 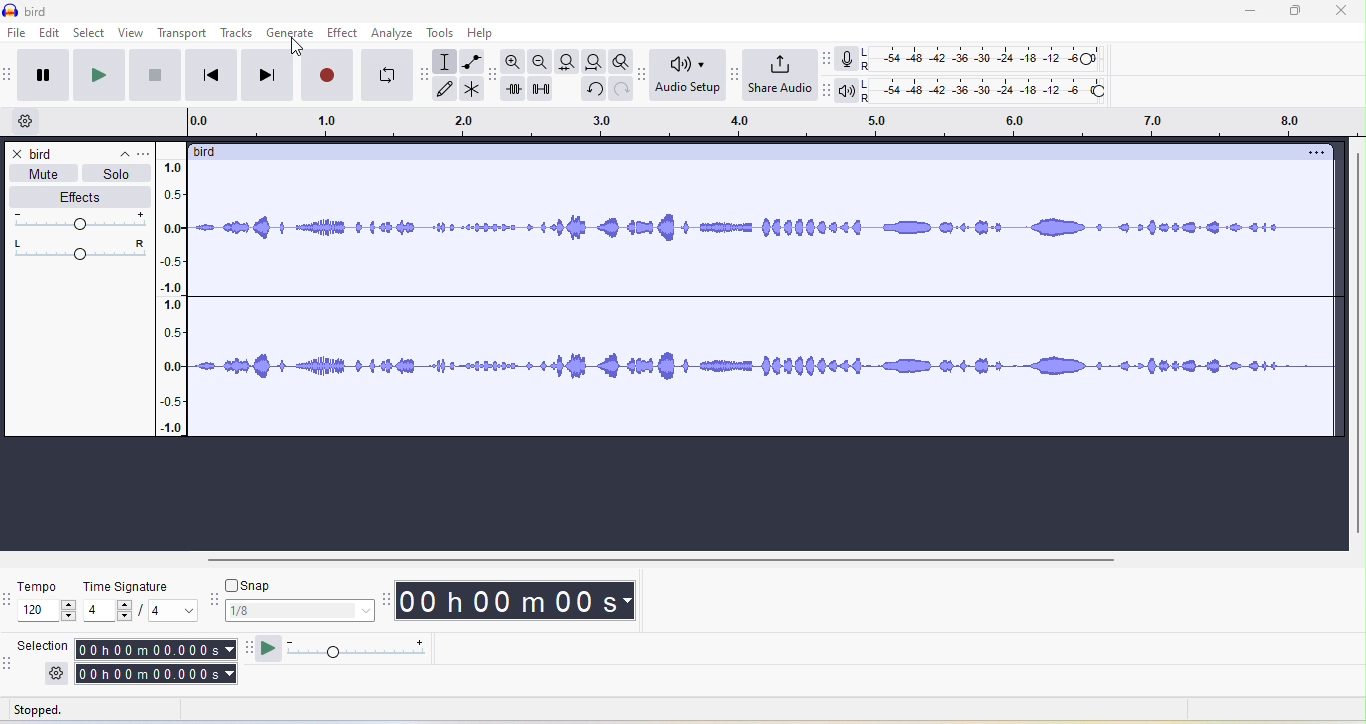 What do you see at coordinates (45, 645) in the screenshot?
I see `selection` at bounding box center [45, 645].